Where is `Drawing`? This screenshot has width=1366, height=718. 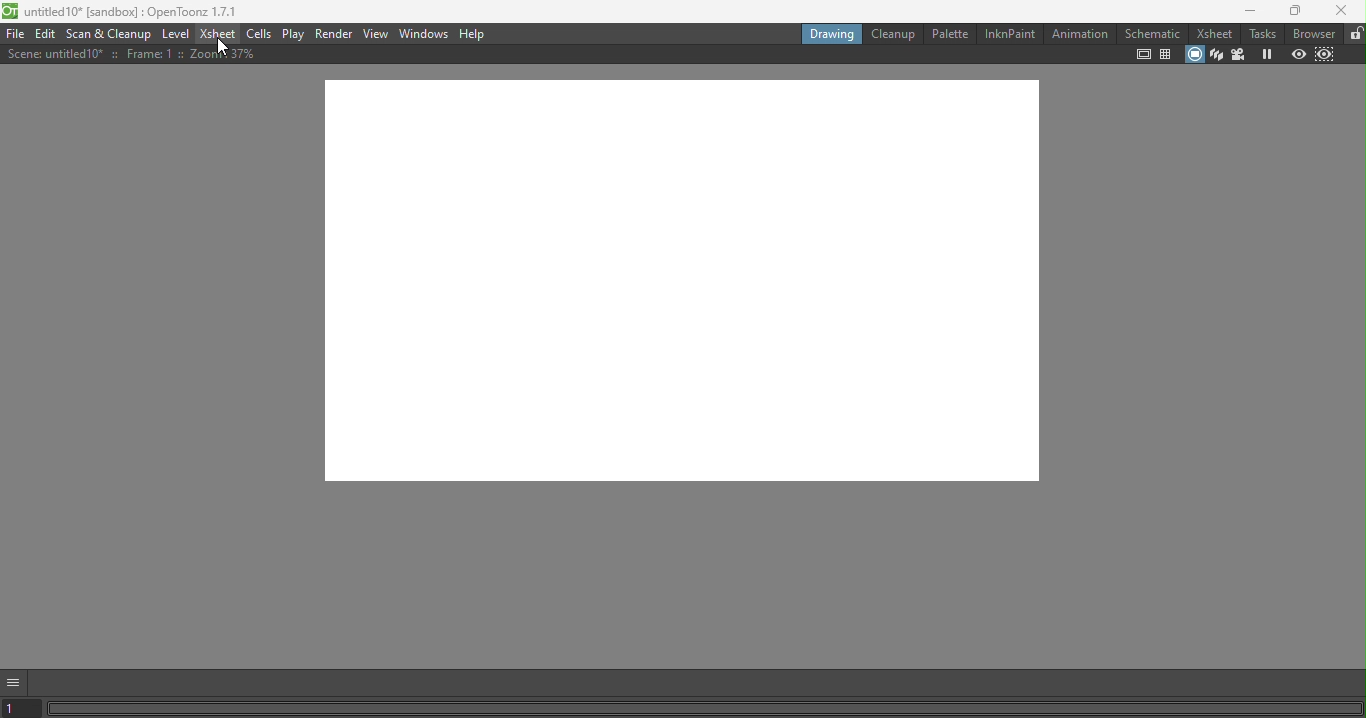
Drawing is located at coordinates (830, 33).